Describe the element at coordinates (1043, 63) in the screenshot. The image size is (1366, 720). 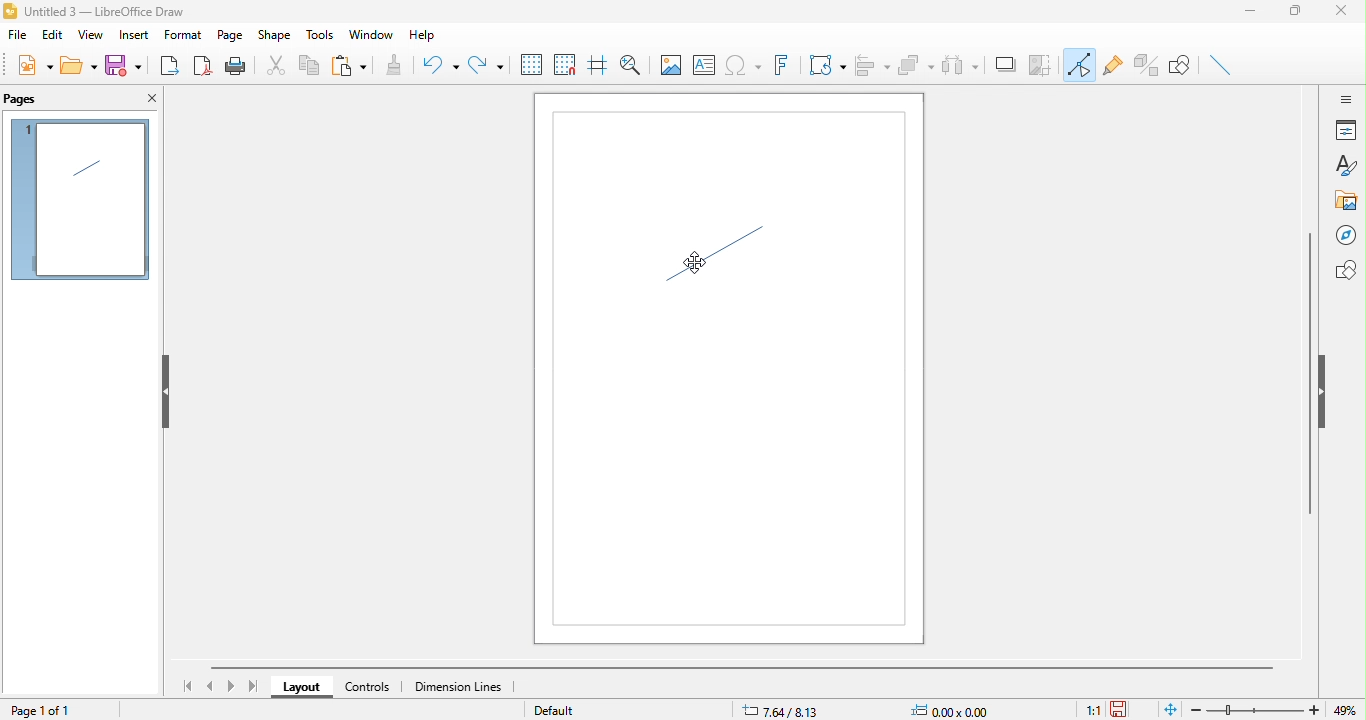
I see `crop image` at that location.